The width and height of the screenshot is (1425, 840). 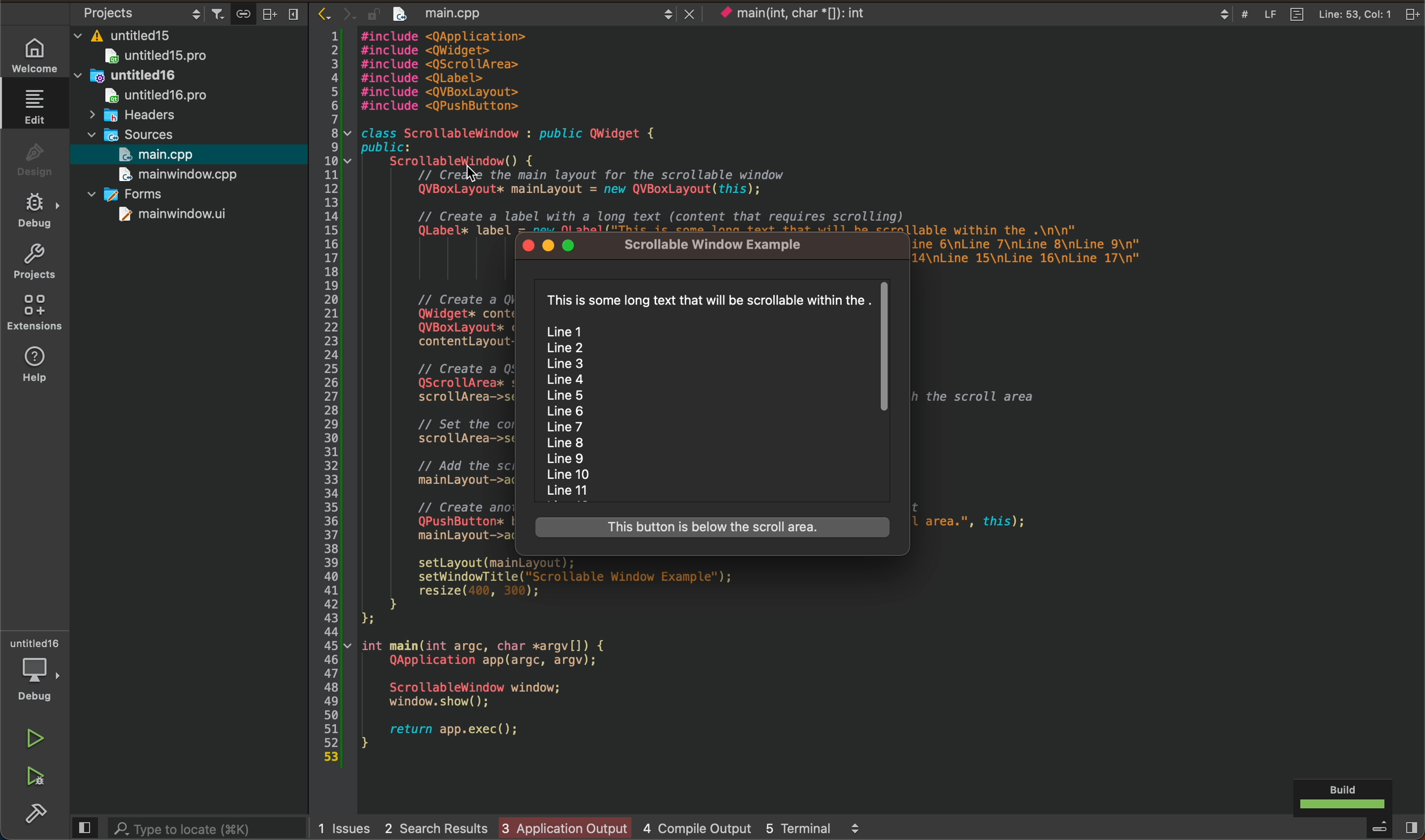 I want to click on untitled 15, so click(x=170, y=58).